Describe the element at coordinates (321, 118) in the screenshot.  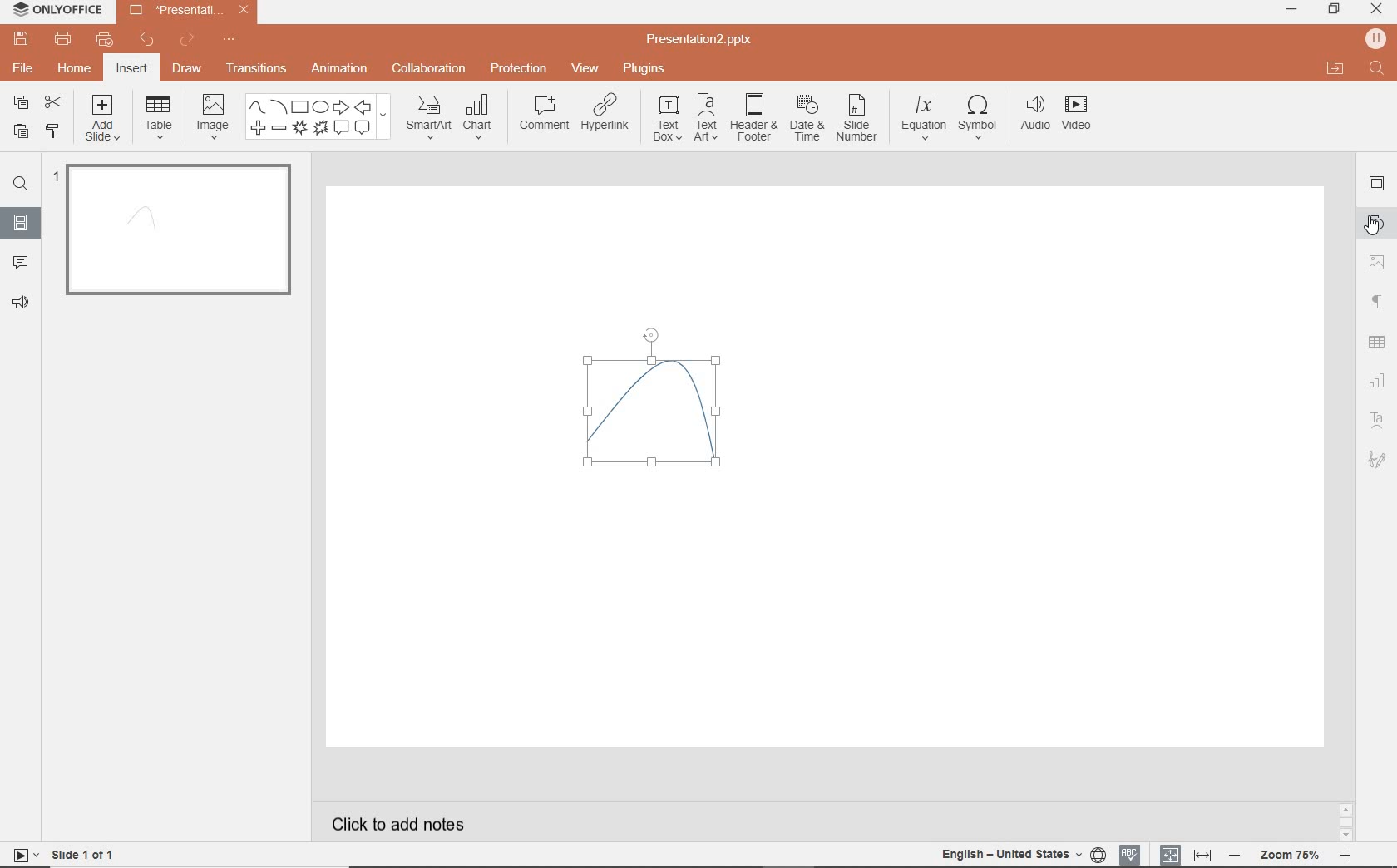
I see `SHAPES` at that location.